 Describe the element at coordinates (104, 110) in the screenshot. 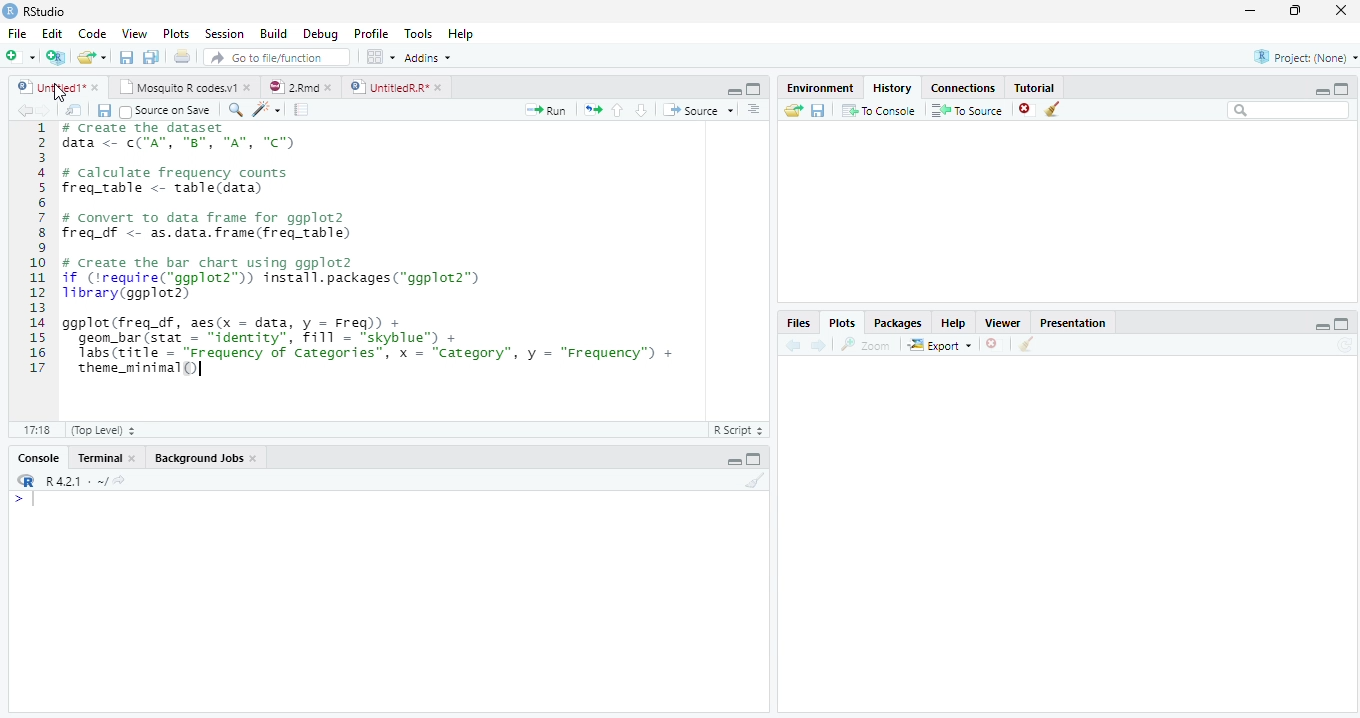

I see `Save` at that location.